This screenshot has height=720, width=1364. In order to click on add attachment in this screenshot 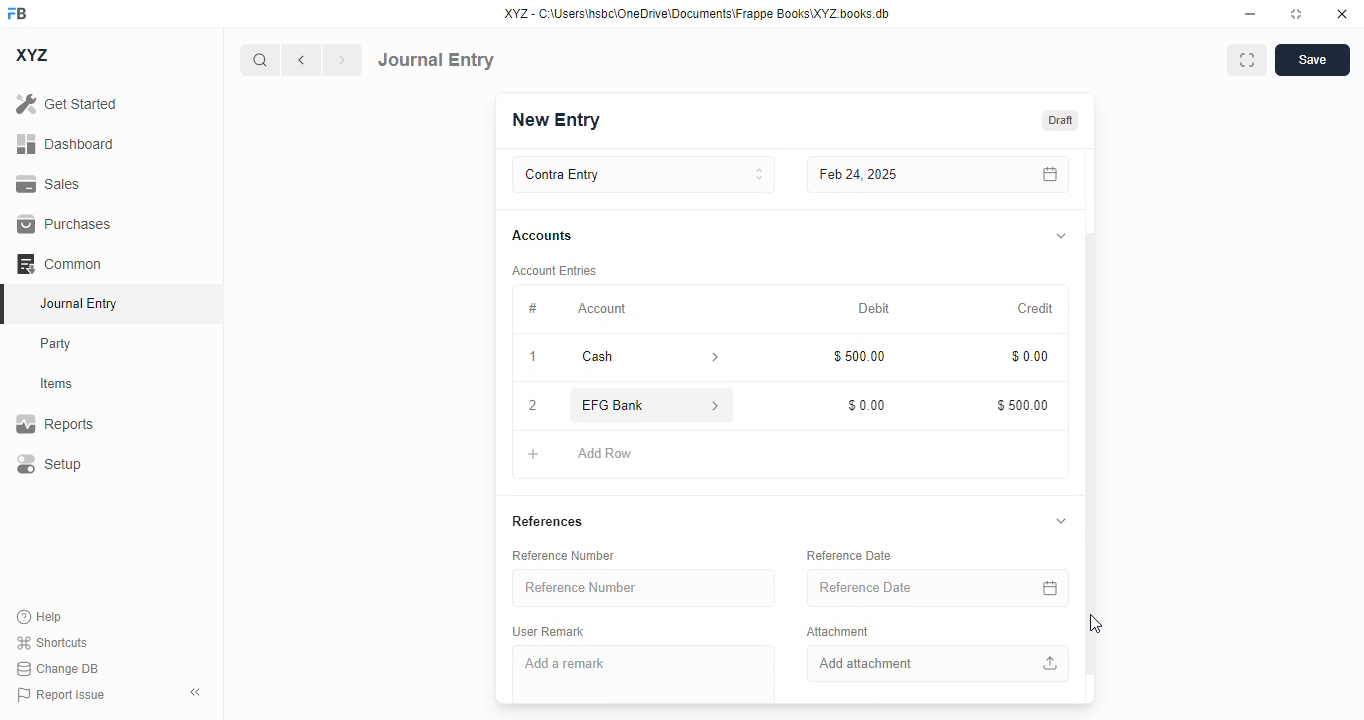, I will do `click(935, 664)`.